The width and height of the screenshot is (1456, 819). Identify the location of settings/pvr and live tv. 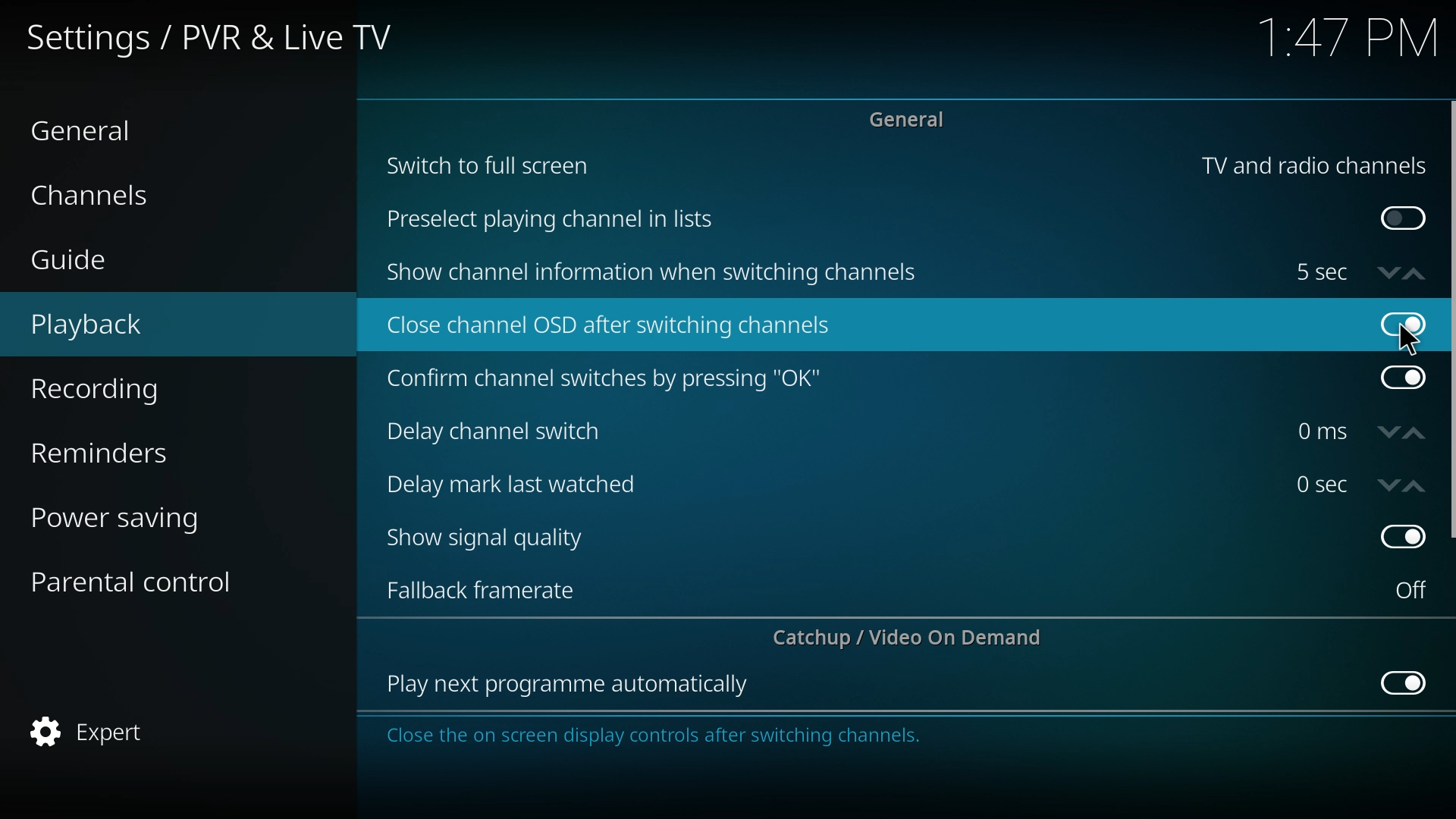
(221, 36).